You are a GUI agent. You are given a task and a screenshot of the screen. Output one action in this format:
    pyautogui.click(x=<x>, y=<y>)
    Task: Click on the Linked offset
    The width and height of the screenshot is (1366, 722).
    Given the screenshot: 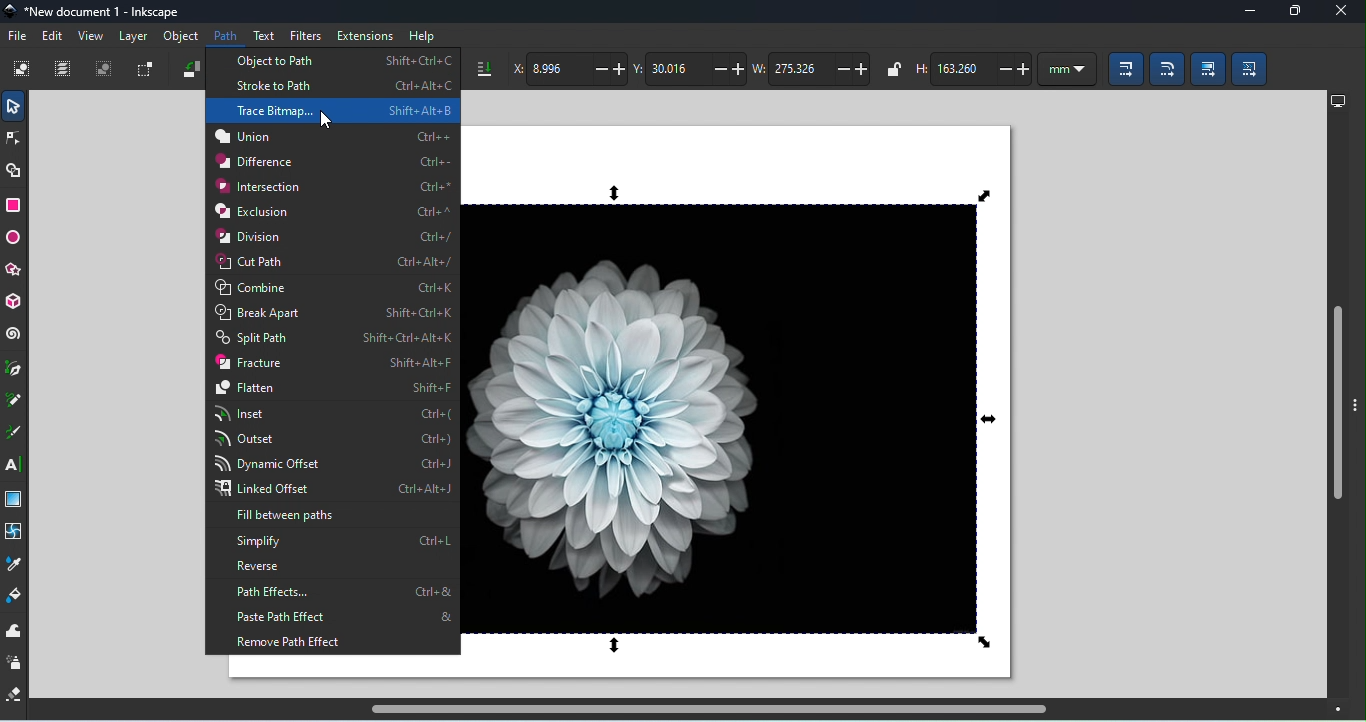 What is the action you would take?
    pyautogui.click(x=335, y=490)
    